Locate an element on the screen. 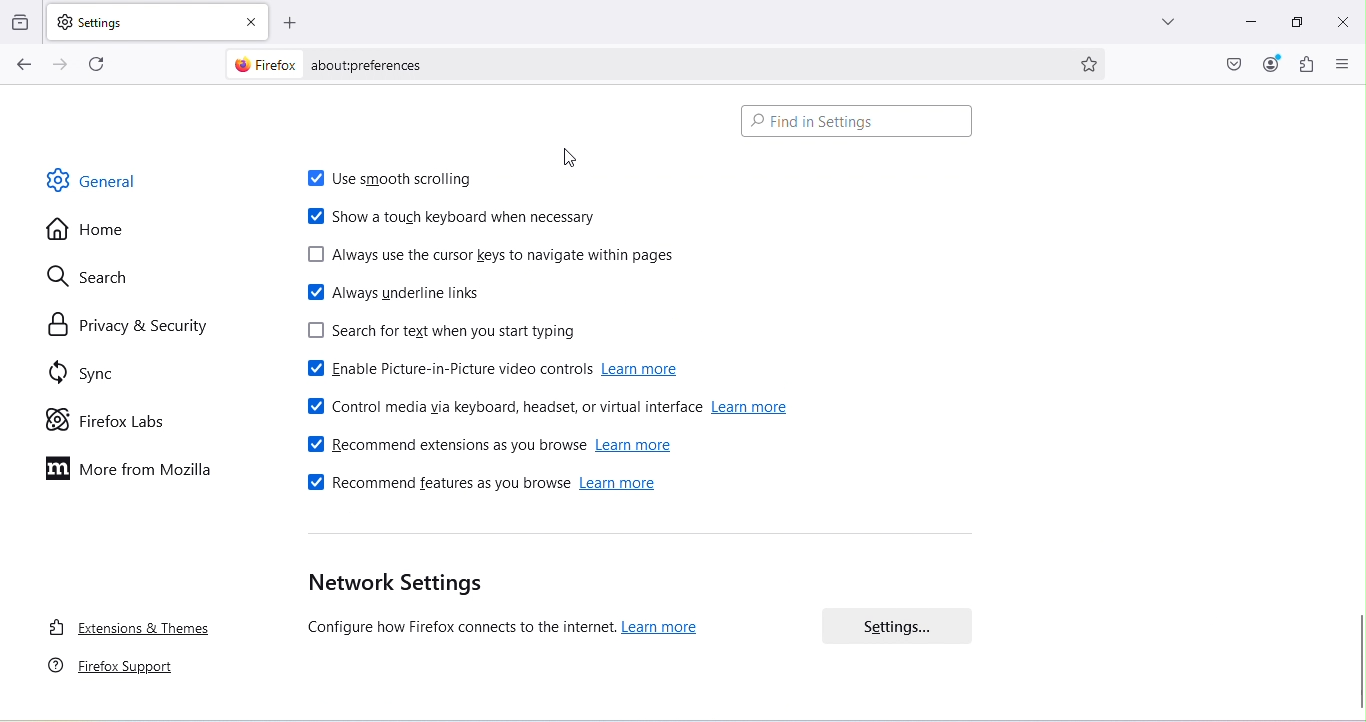  More on mozilla is located at coordinates (121, 470).